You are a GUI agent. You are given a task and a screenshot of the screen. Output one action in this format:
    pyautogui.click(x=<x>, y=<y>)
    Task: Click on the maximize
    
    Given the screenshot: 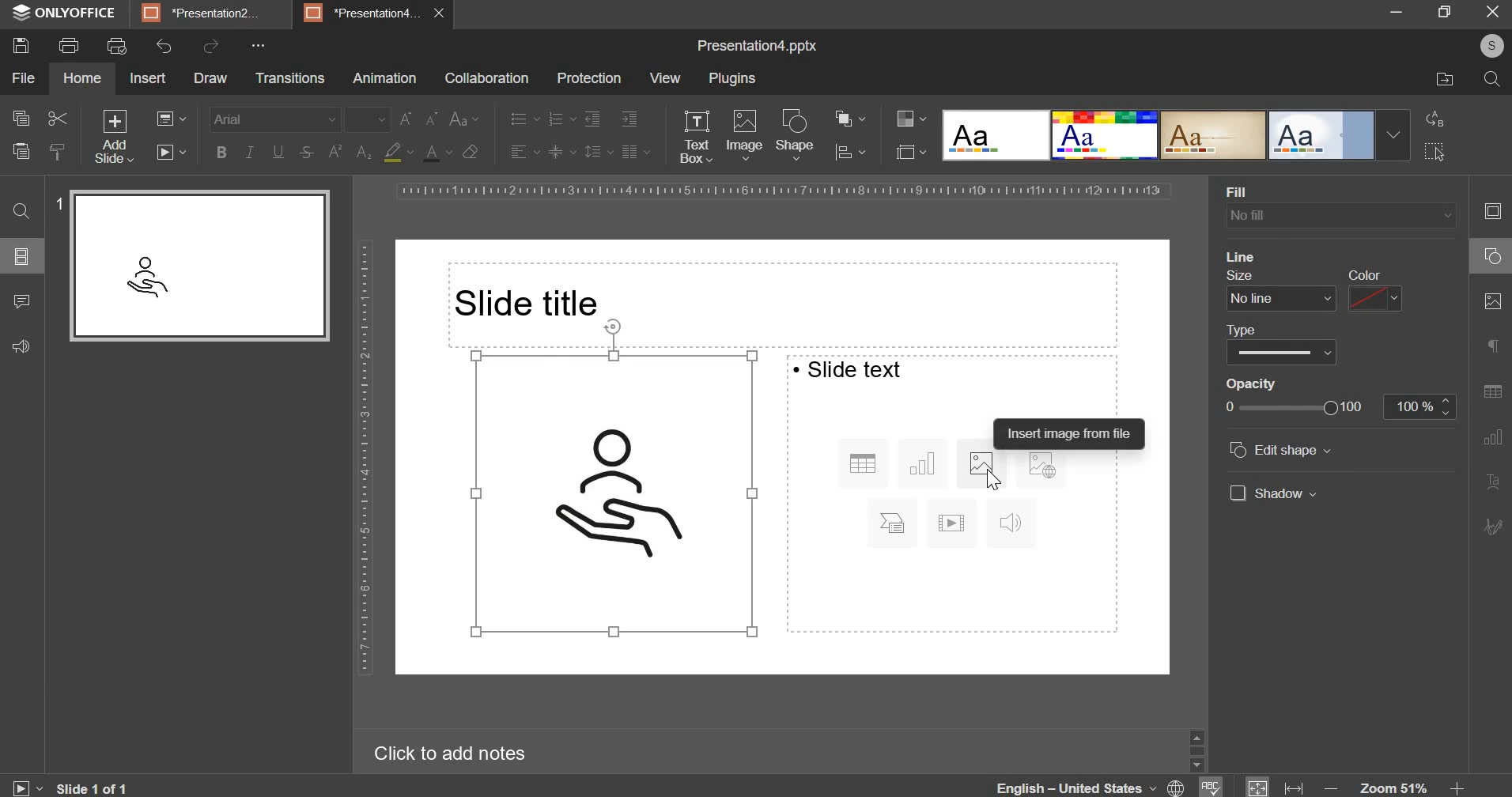 What is the action you would take?
    pyautogui.click(x=1446, y=11)
    